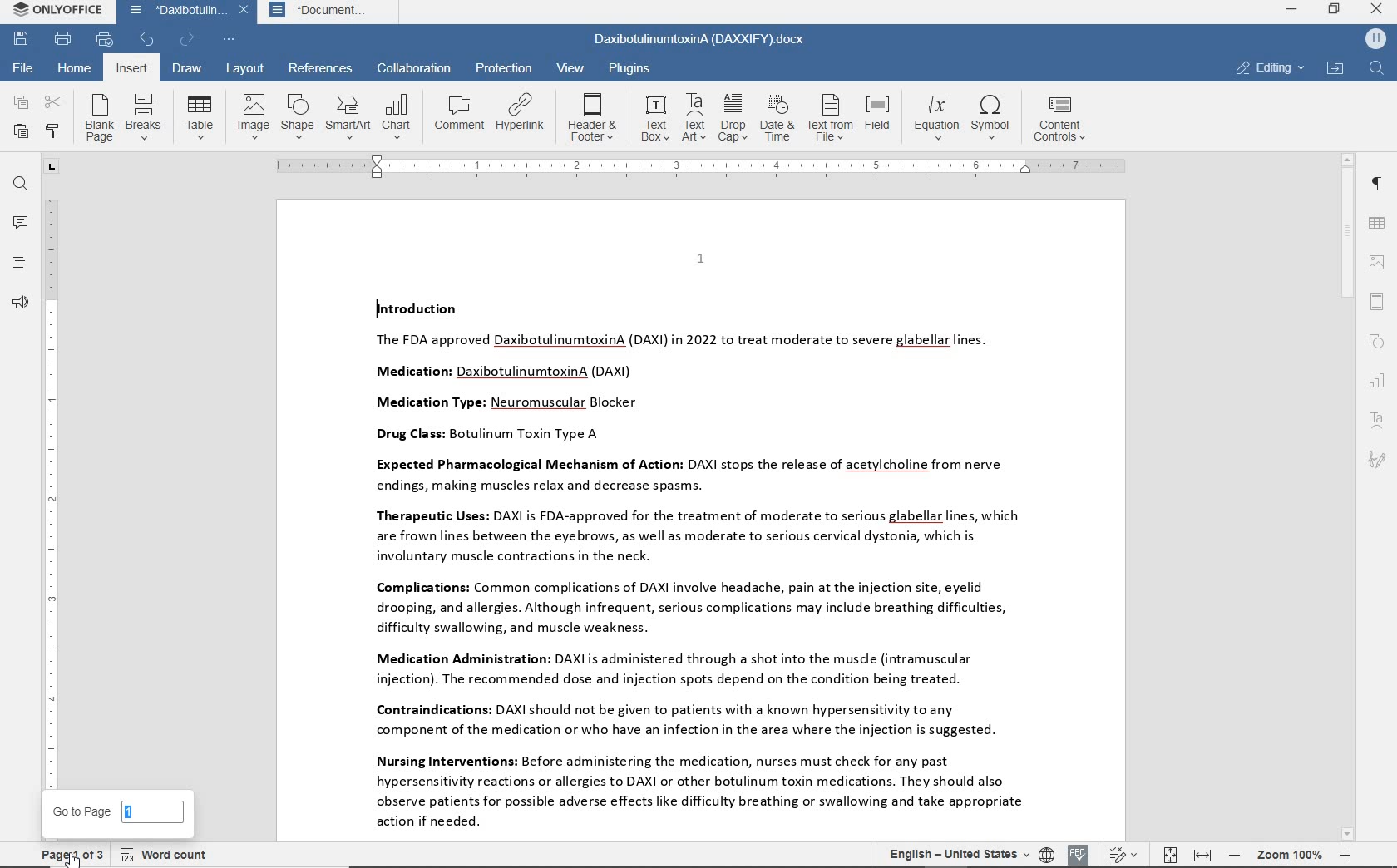 This screenshot has width=1397, height=868. Describe the element at coordinates (189, 69) in the screenshot. I see `draw` at that location.